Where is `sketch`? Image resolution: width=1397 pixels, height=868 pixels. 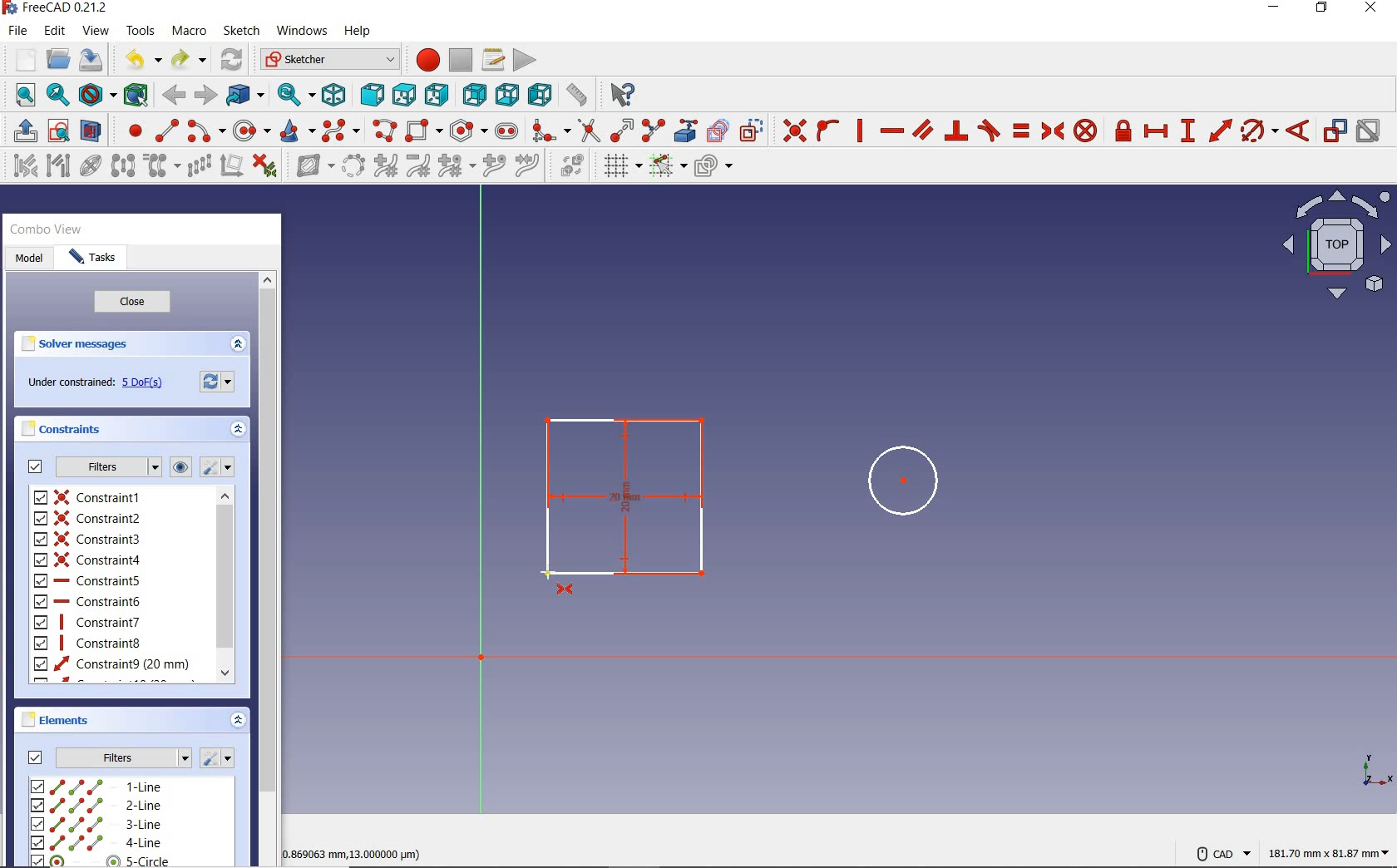 sketch is located at coordinates (243, 32).